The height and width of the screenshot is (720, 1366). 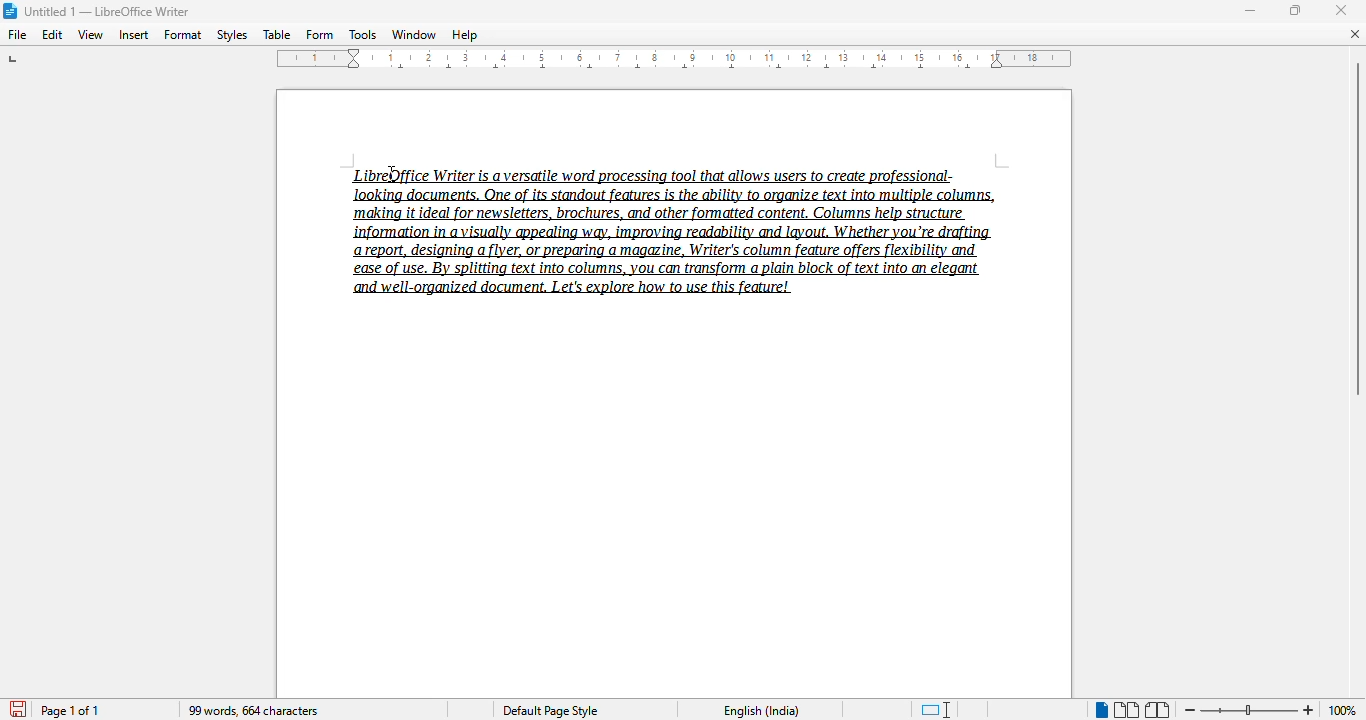 What do you see at coordinates (12, 10) in the screenshot?
I see `LibreOffice logo` at bounding box center [12, 10].